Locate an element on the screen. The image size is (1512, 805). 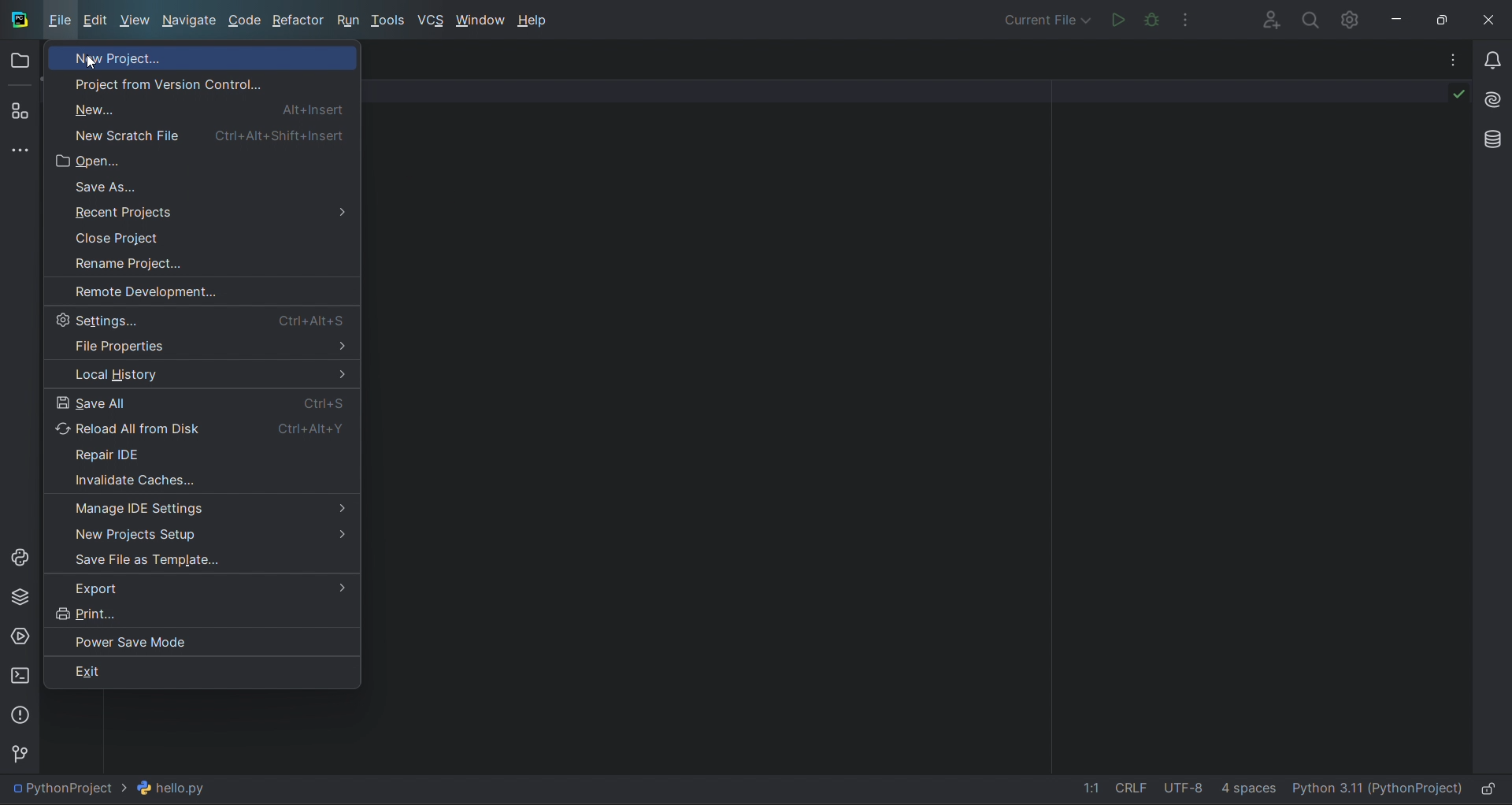
exit is located at coordinates (202, 672).